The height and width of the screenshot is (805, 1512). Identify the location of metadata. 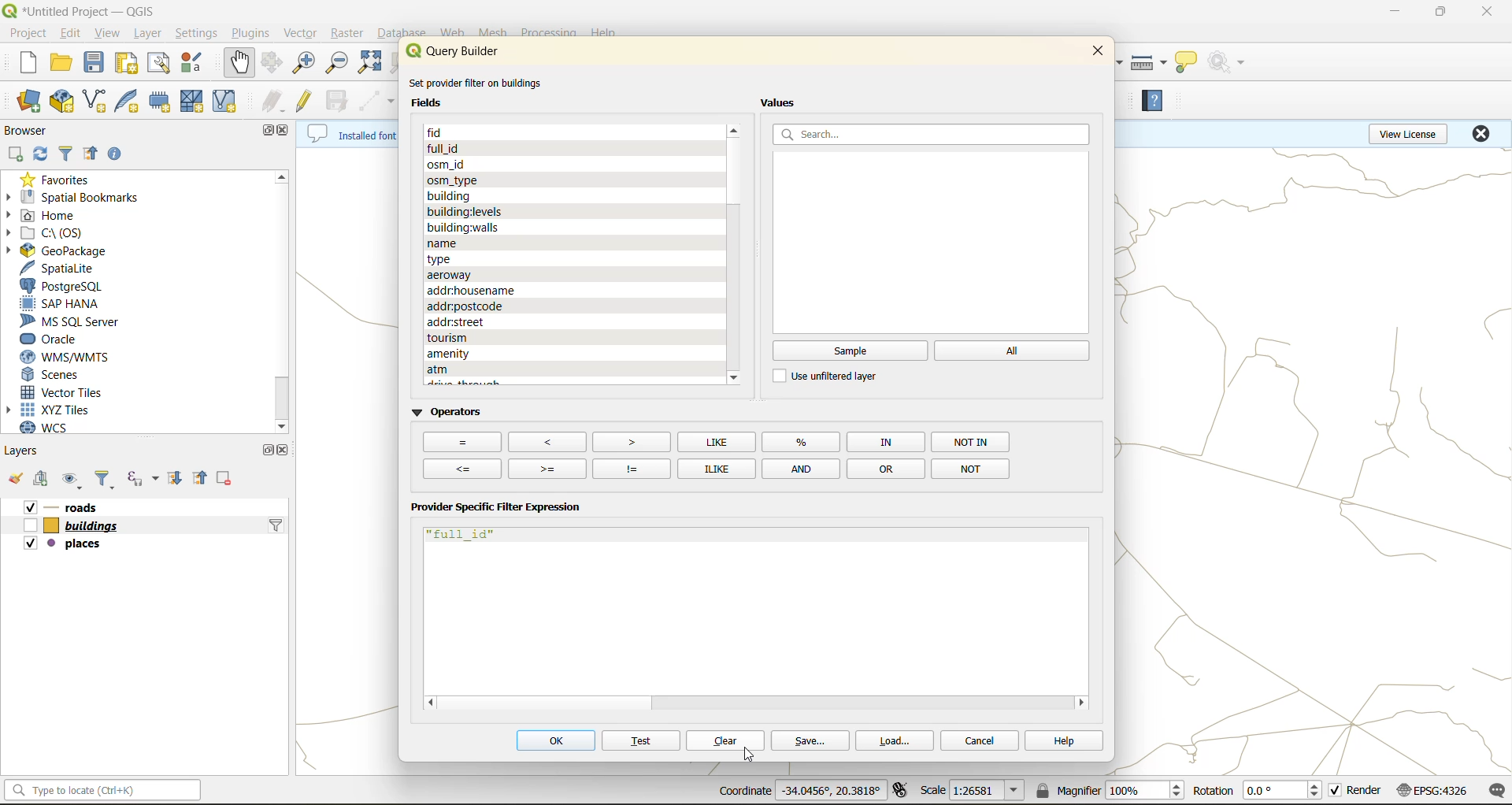
(349, 136).